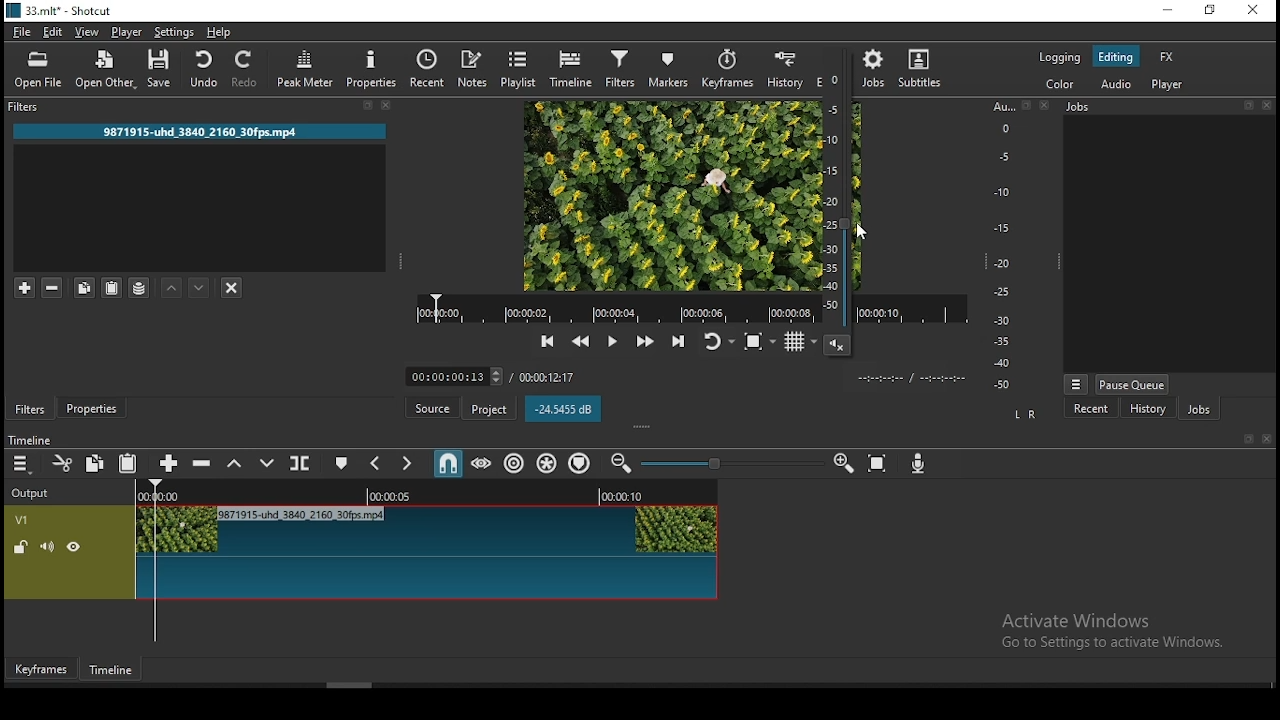 The width and height of the screenshot is (1280, 720). Describe the element at coordinates (915, 465) in the screenshot. I see `record audio` at that location.